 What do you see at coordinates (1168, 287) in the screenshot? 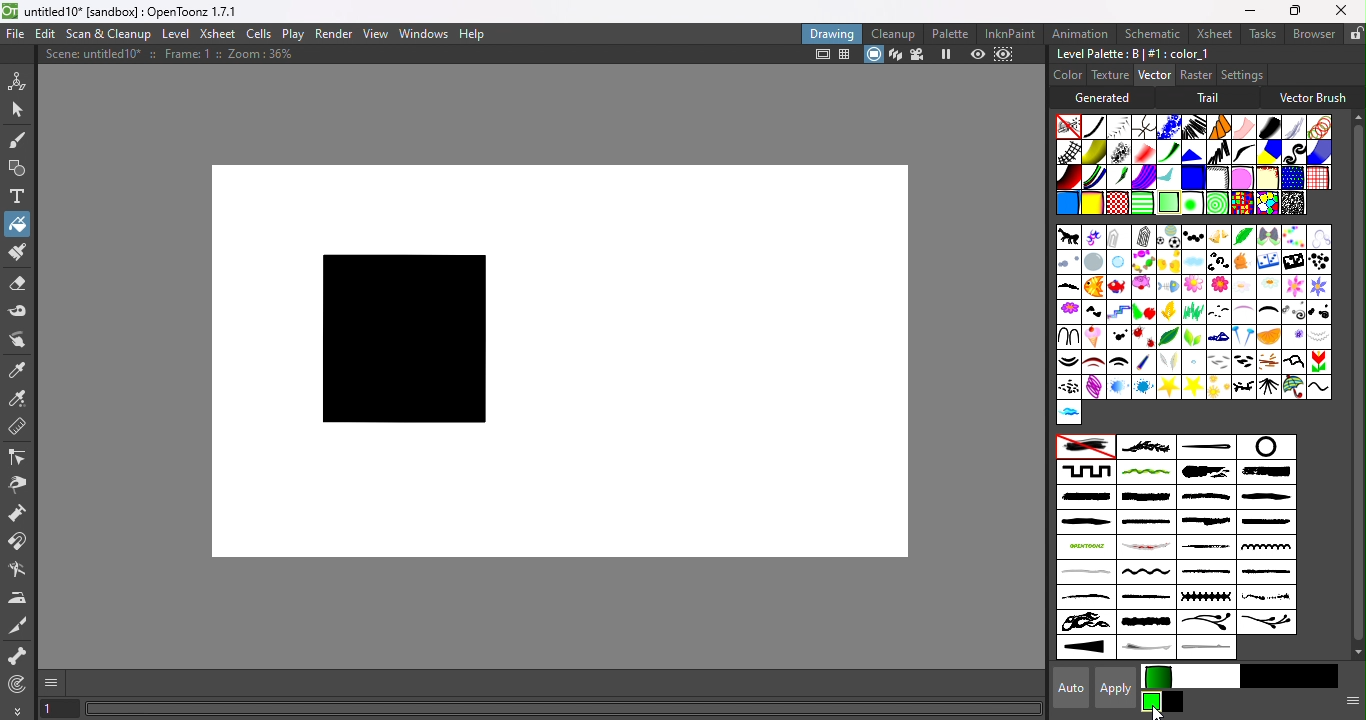
I see `fishbone` at bounding box center [1168, 287].